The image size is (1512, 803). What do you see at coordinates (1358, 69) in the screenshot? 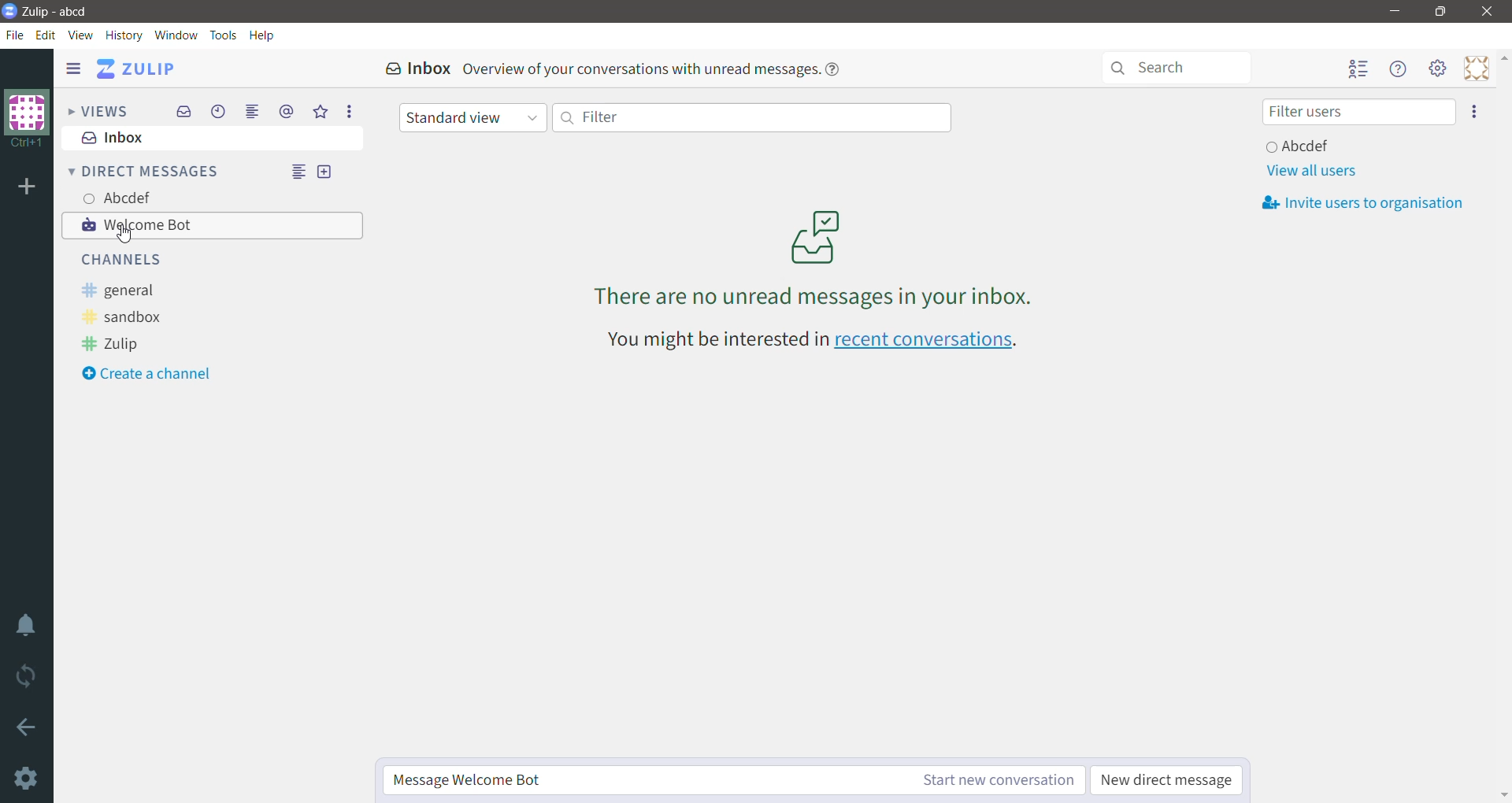
I see `Hide user list` at bounding box center [1358, 69].